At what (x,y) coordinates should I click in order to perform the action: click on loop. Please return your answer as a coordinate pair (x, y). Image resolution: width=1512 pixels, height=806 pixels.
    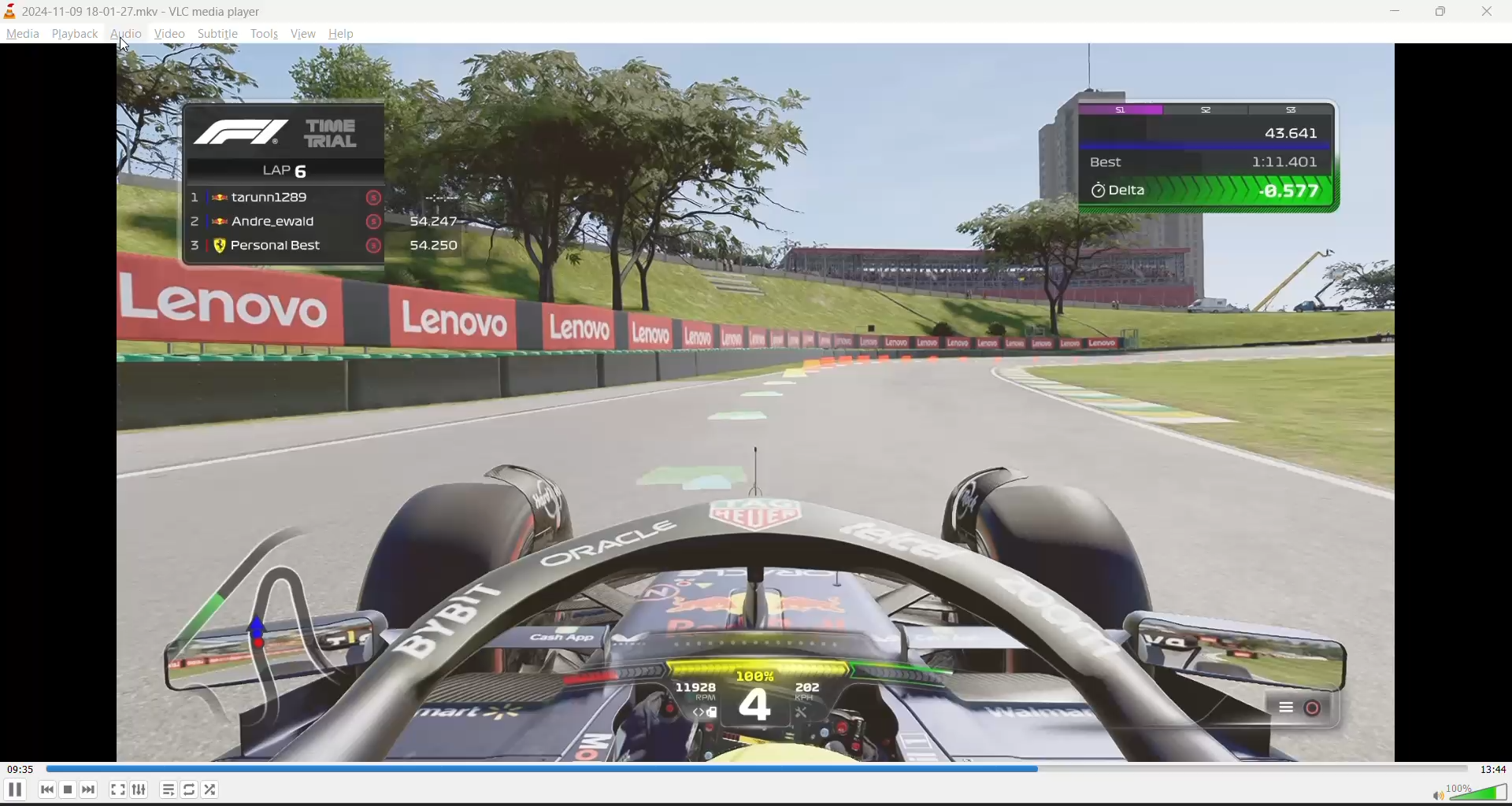
    Looking at the image, I should click on (188, 790).